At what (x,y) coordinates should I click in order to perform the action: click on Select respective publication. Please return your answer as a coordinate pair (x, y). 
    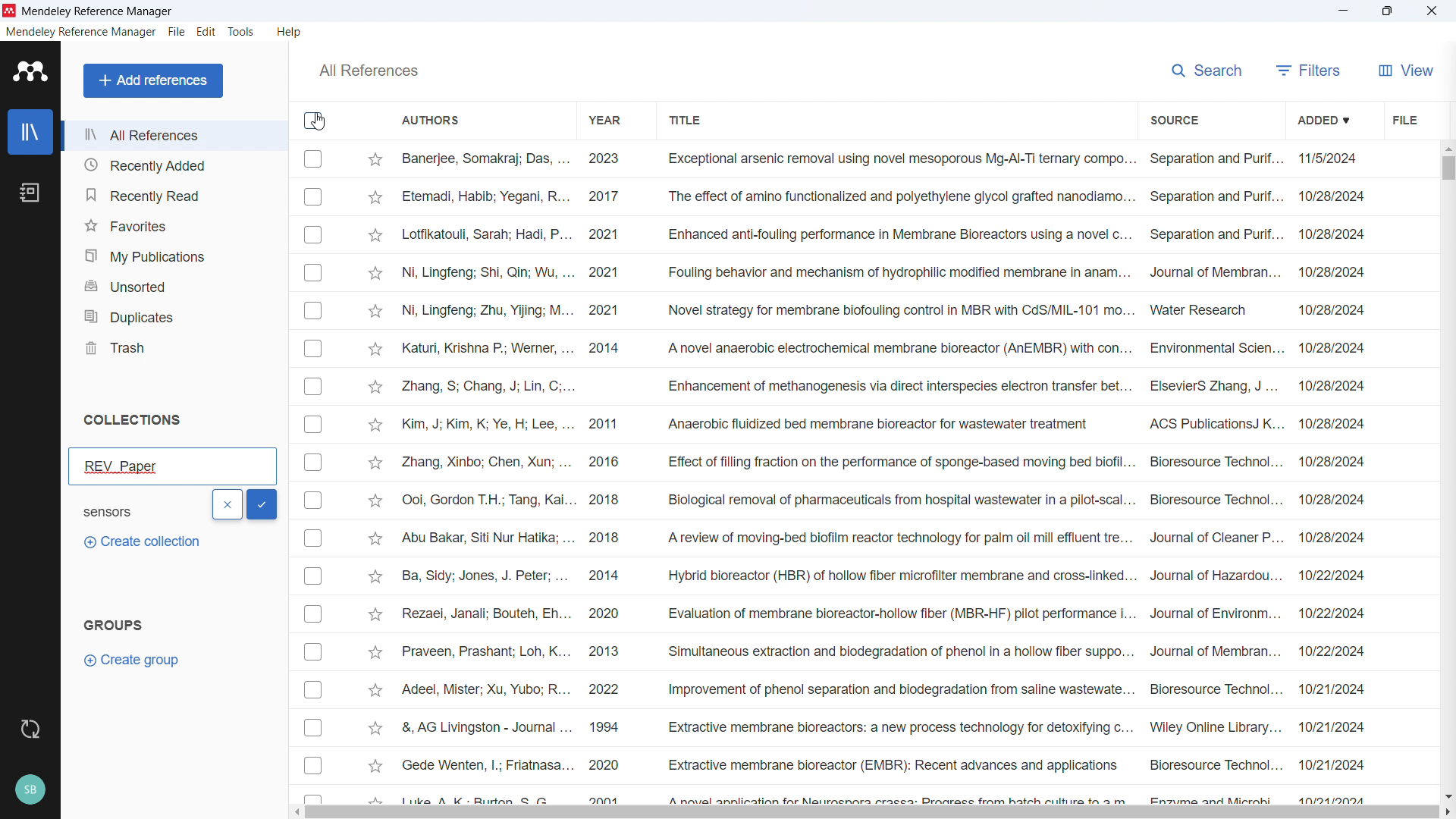
    Looking at the image, I should click on (312, 727).